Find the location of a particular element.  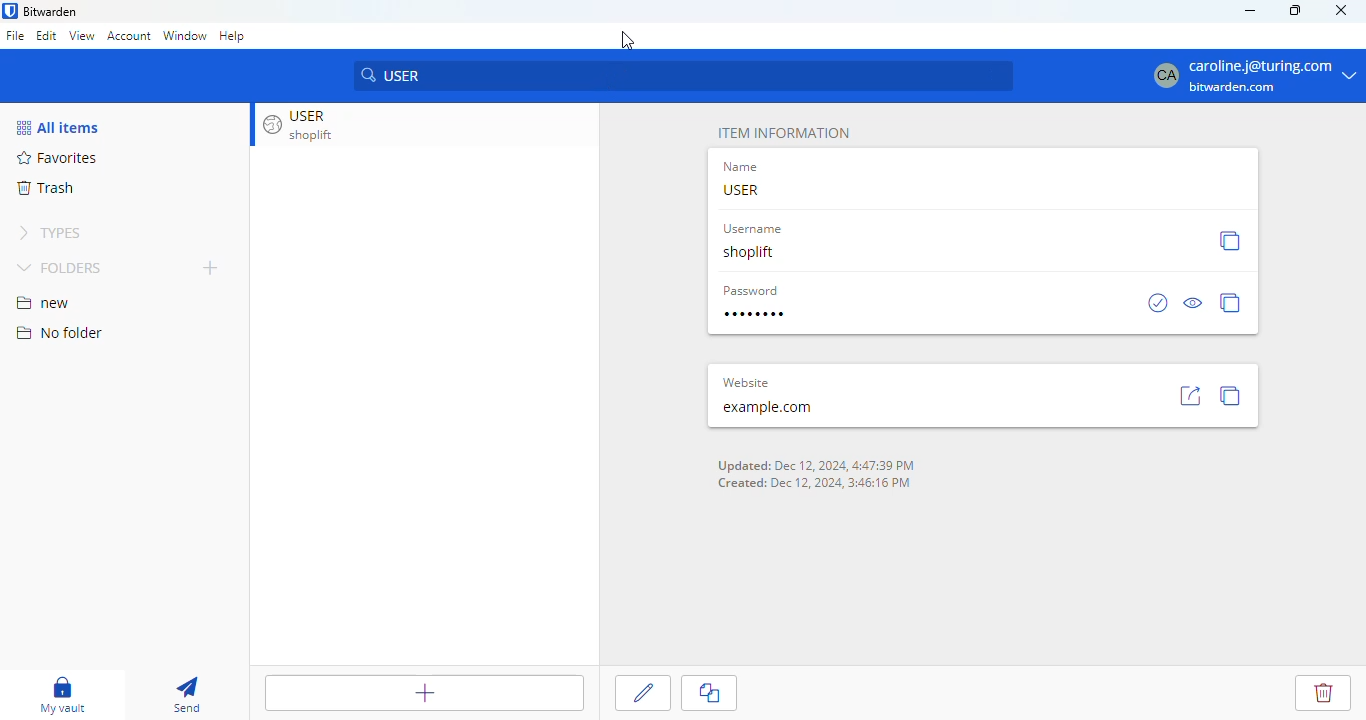

new is located at coordinates (44, 303).